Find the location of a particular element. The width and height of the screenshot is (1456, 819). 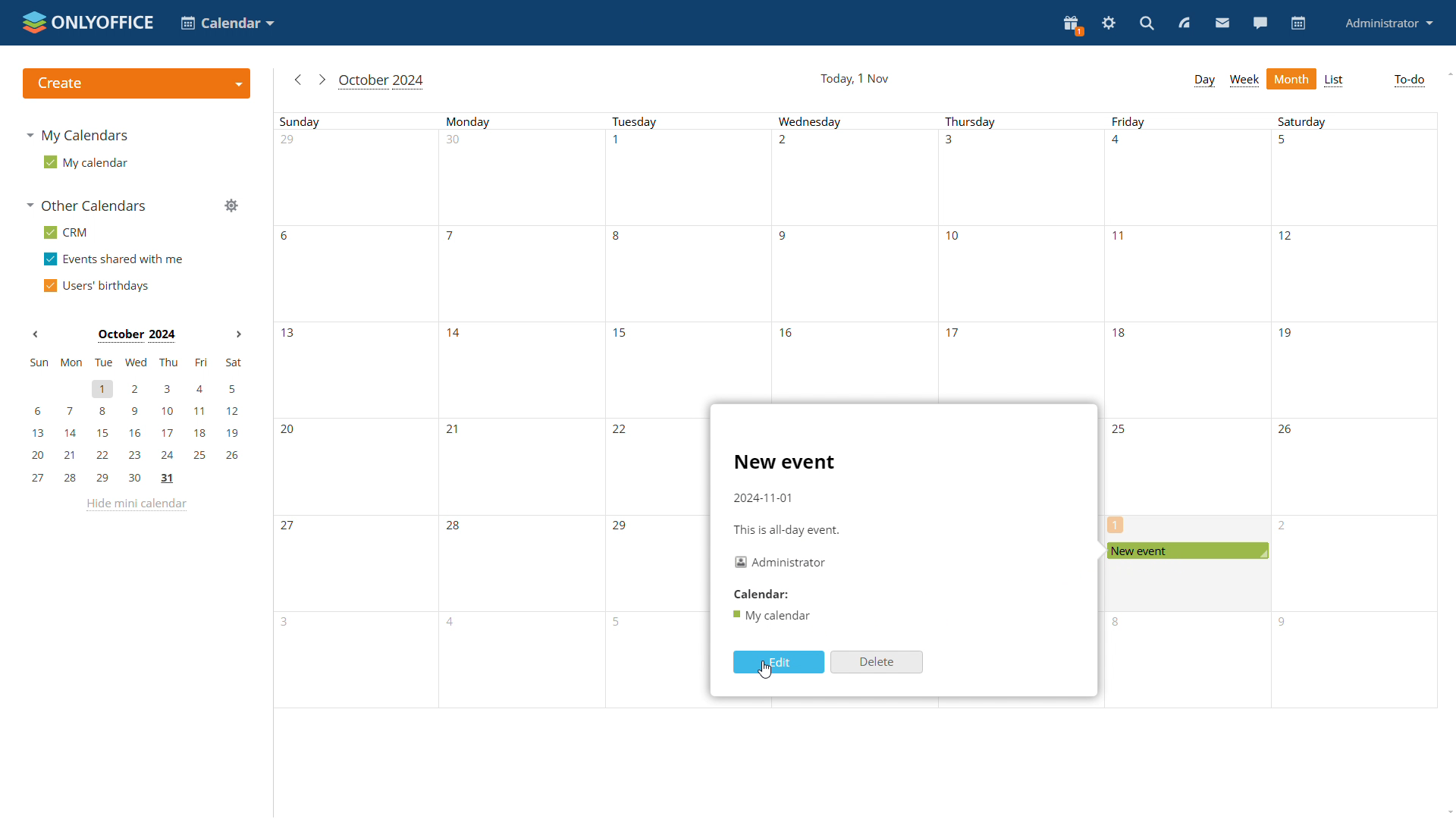

scroll up is located at coordinates (1449, 75).